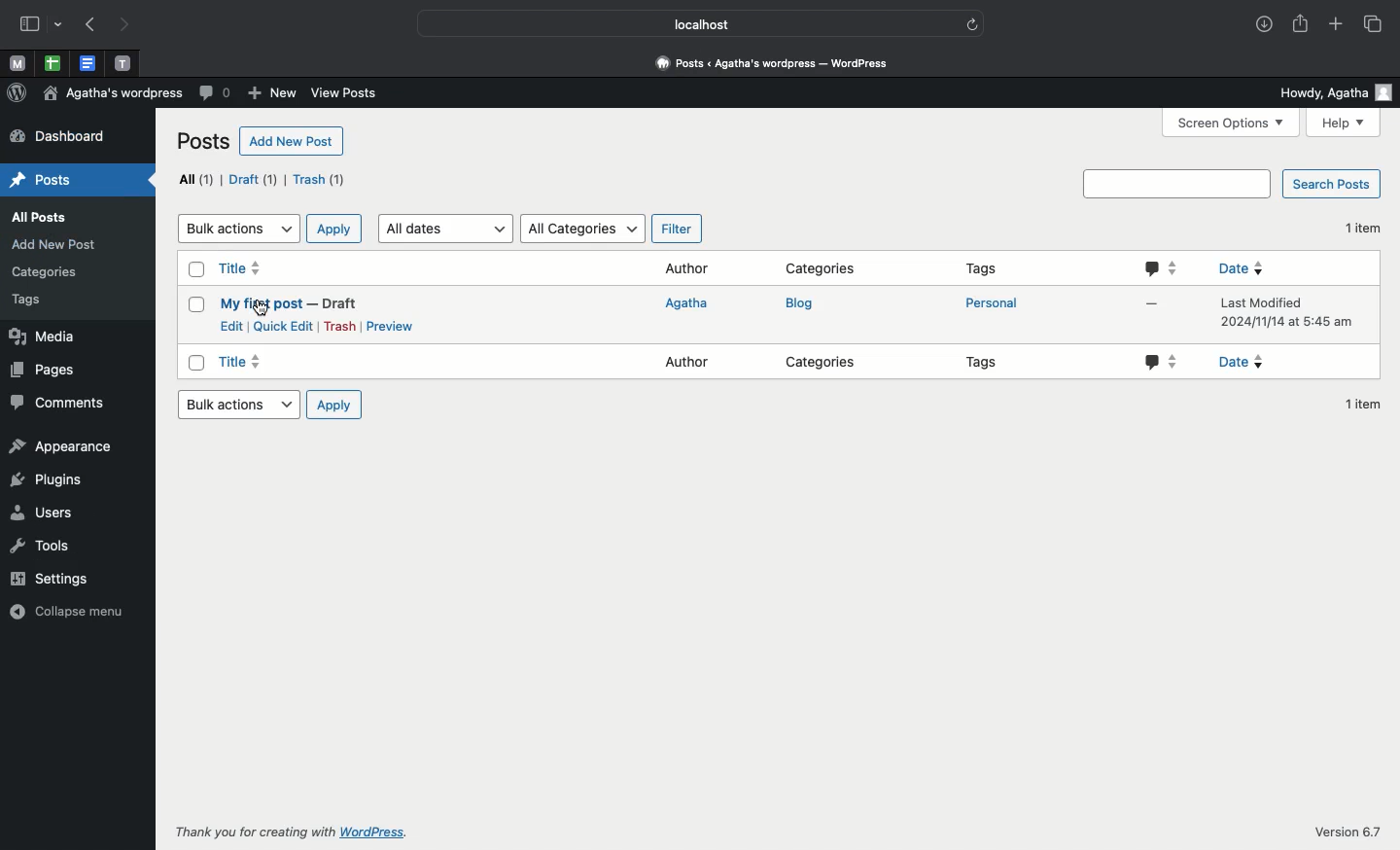  Describe the element at coordinates (193, 268) in the screenshot. I see `Checkbox` at that location.